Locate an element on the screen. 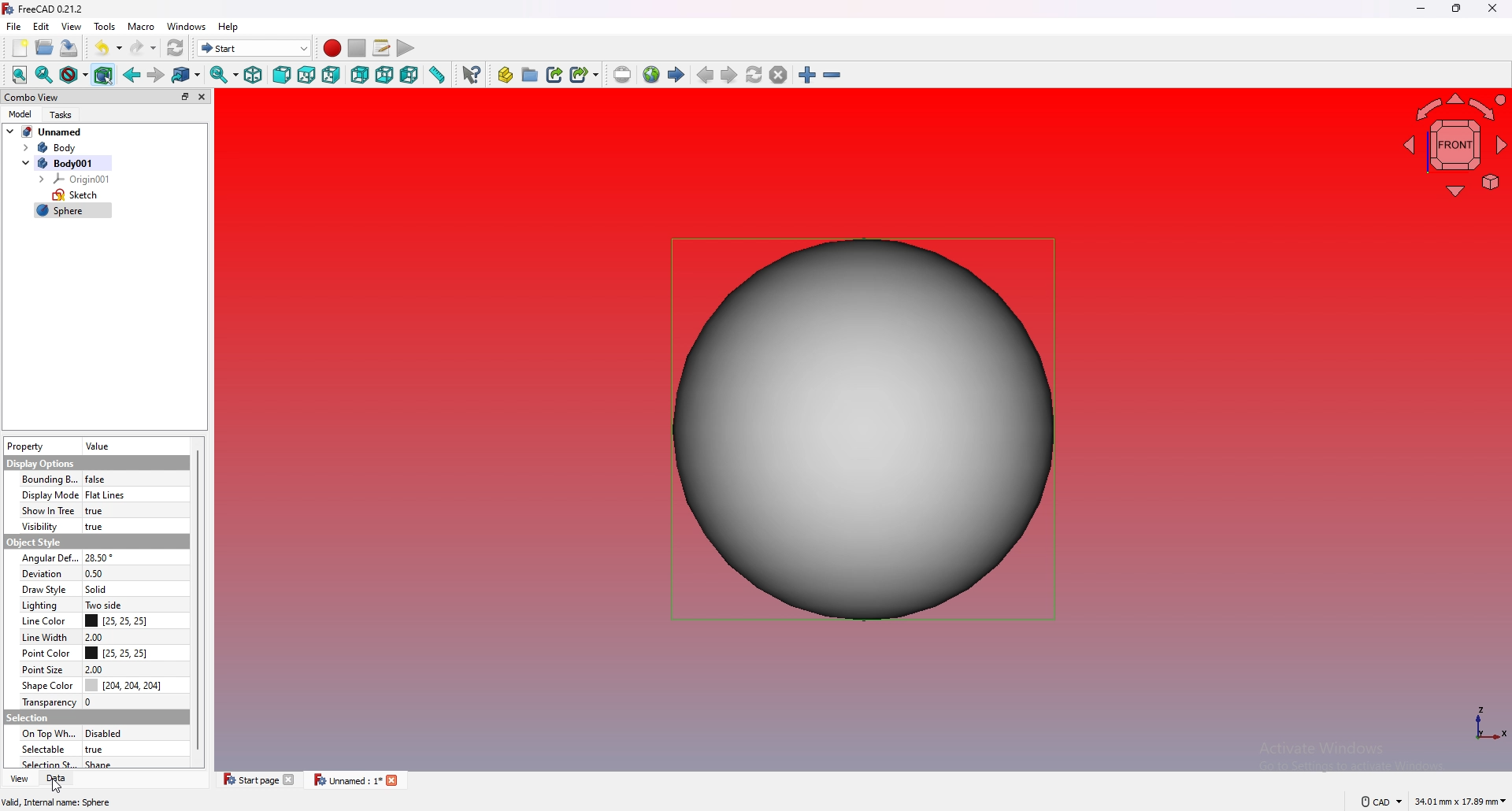  bounding box is located at coordinates (95, 480).